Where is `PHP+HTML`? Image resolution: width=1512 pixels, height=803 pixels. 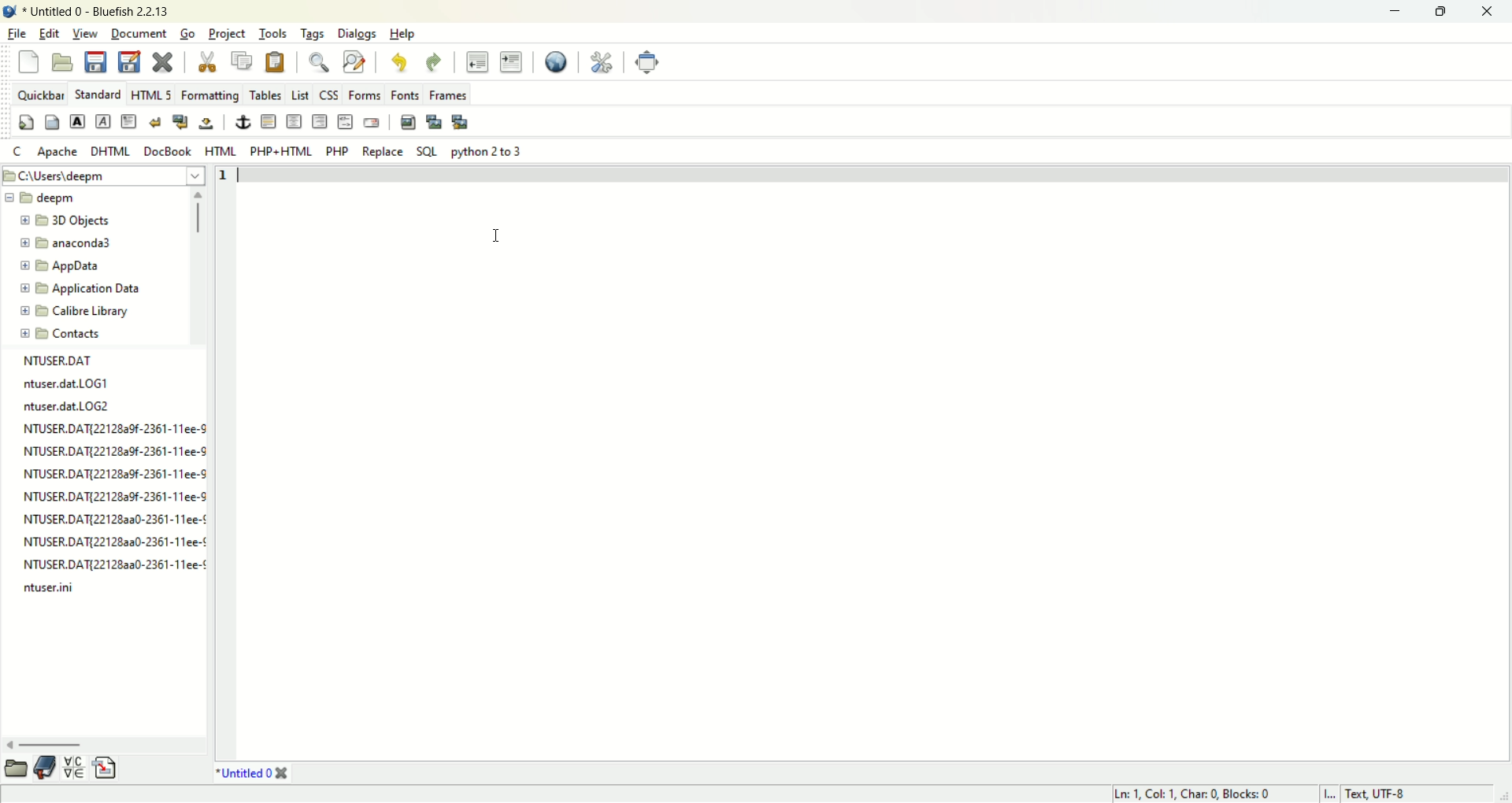
PHP+HTML is located at coordinates (280, 150).